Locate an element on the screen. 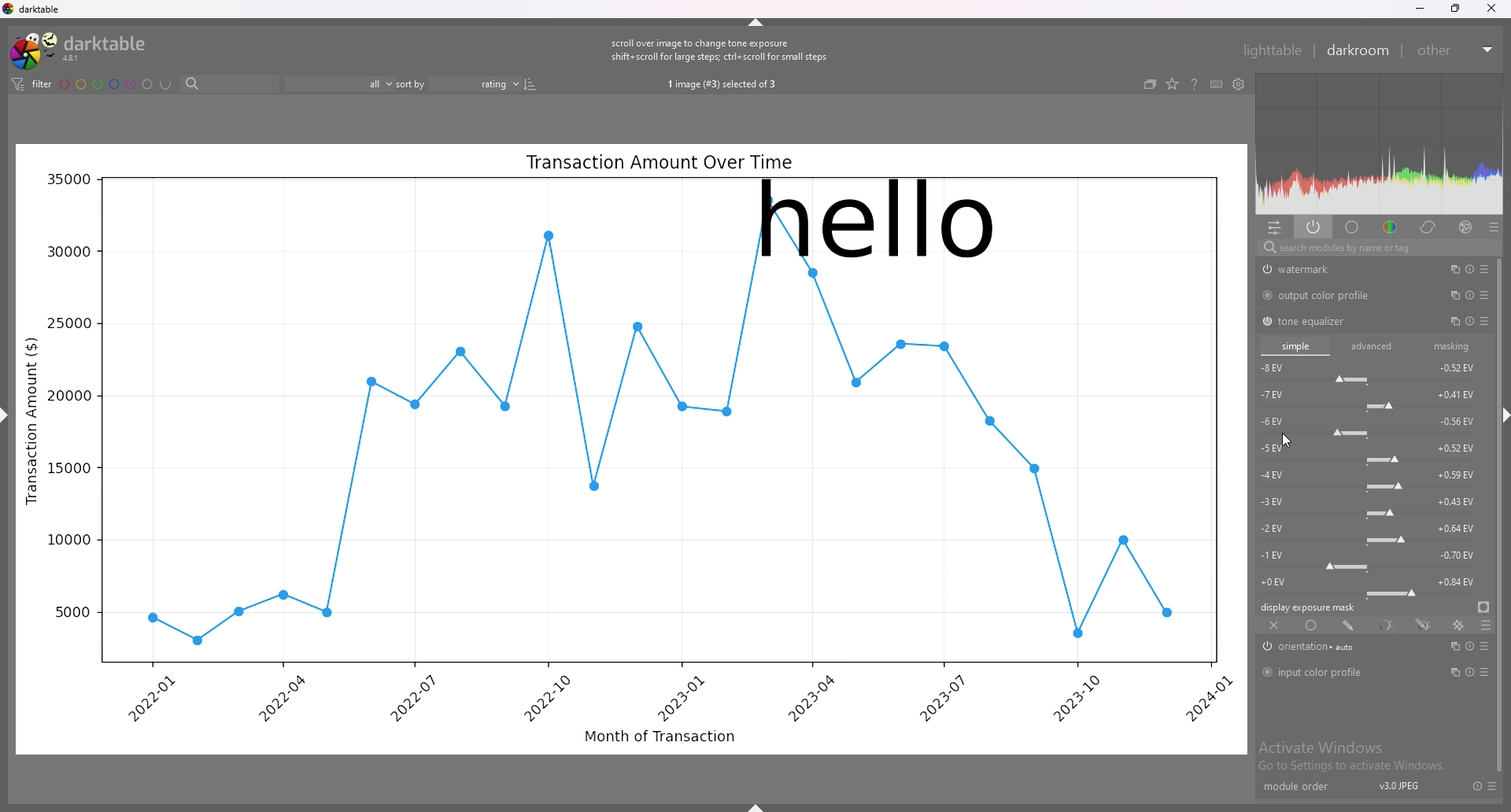 The height and width of the screenshot is (812, 1511). 30000 is located at coordinates (66, 252).